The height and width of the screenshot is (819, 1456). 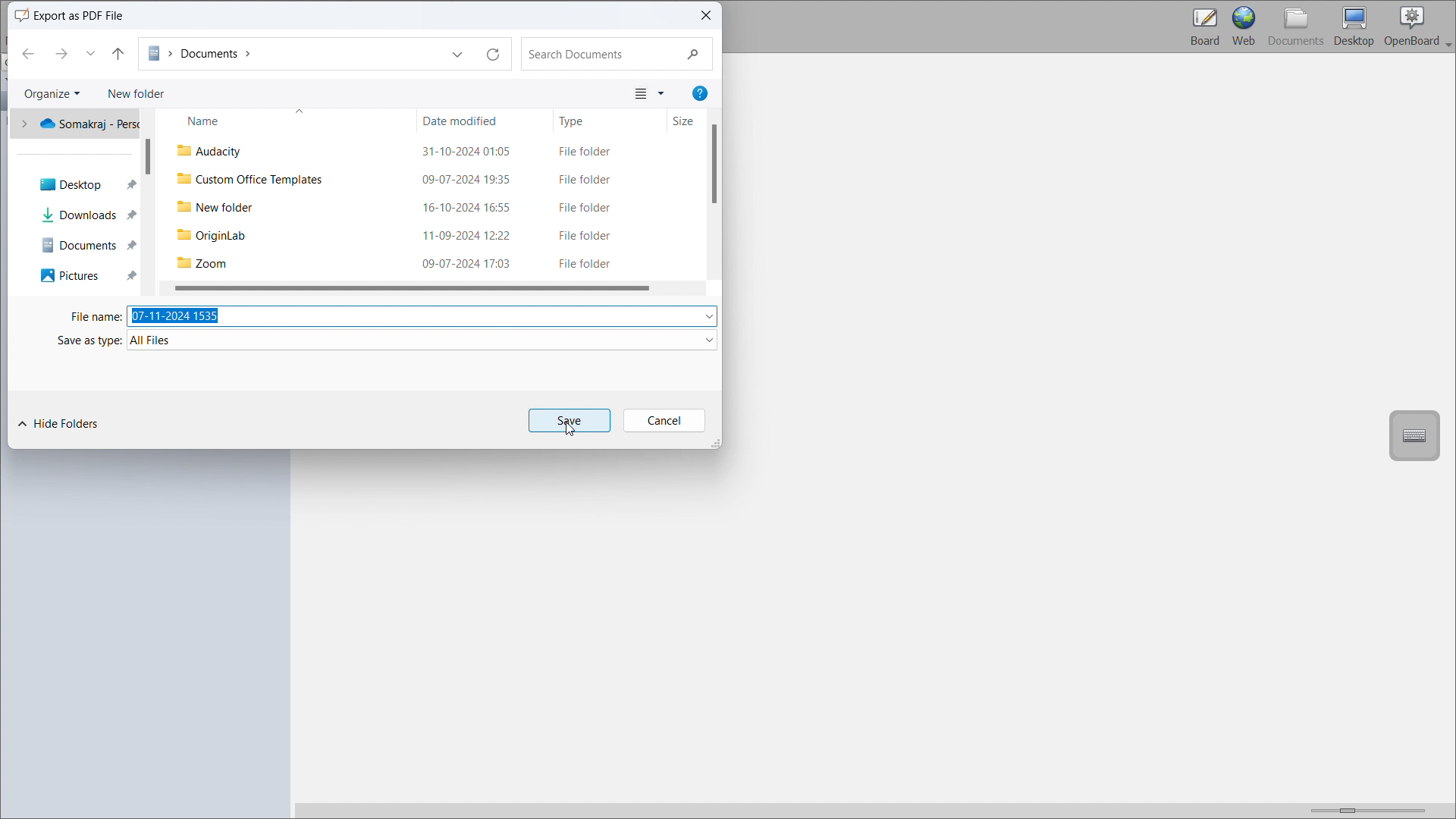 What do you see at coordinates (714, 162) in the screenshot?
I see `vertical scrollbar` at bounding box center [714, 162].